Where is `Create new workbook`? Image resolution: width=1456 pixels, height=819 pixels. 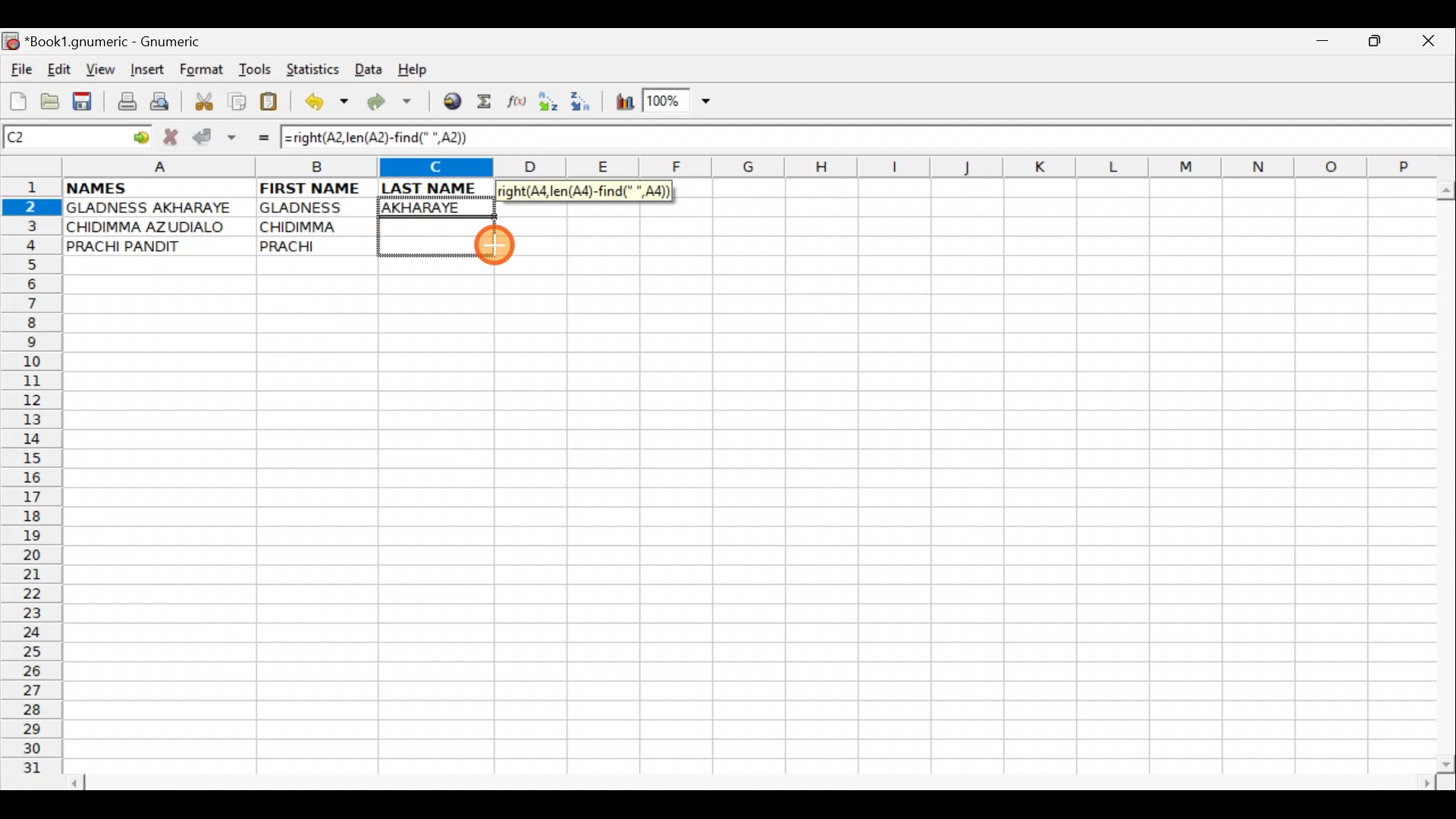 Create new workbook is located at coordinates (17, 99).